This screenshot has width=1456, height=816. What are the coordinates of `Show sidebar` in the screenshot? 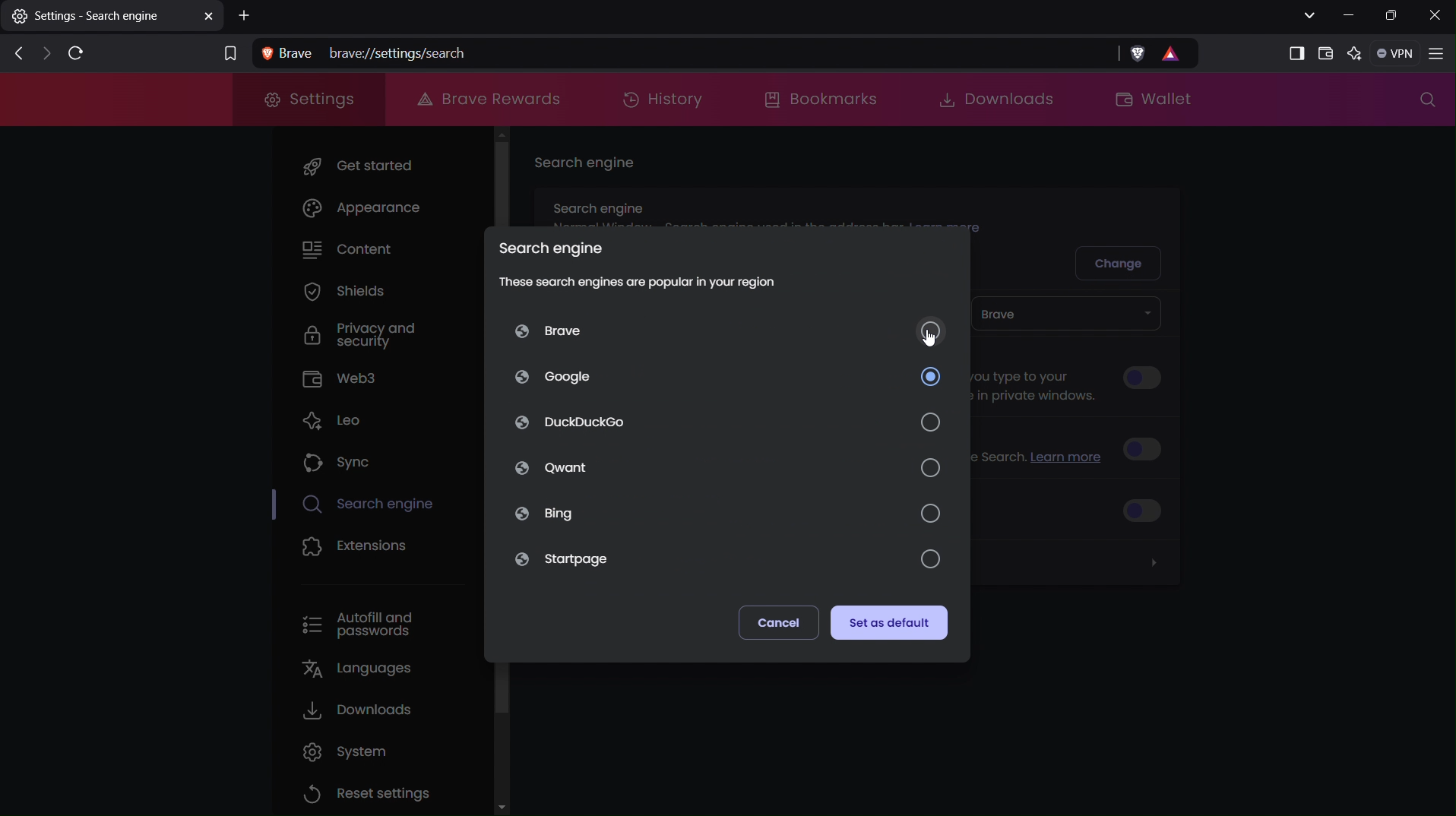 It's located at (1293, 52).